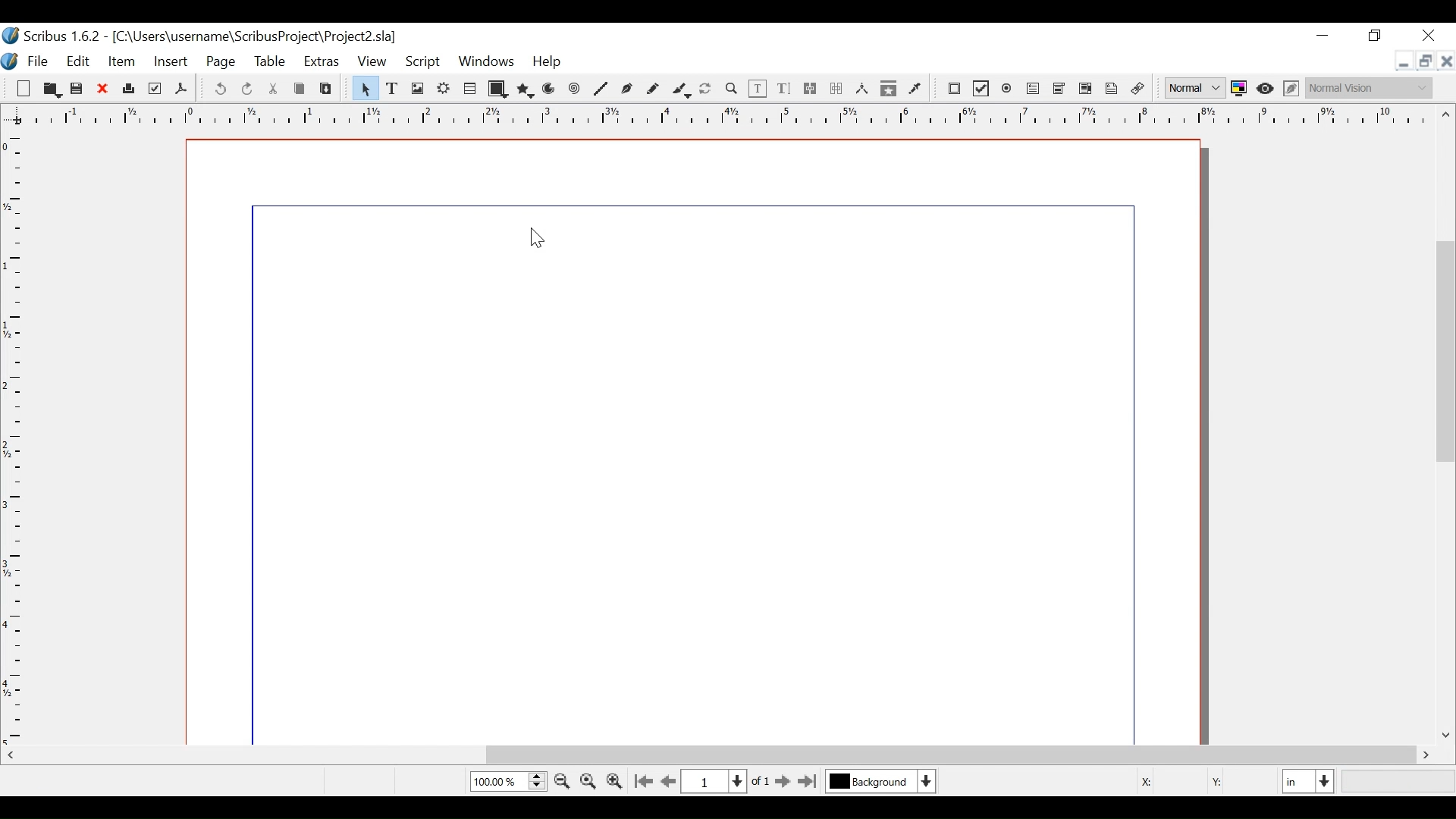  I want to click on Measurements, so click(861, 89).